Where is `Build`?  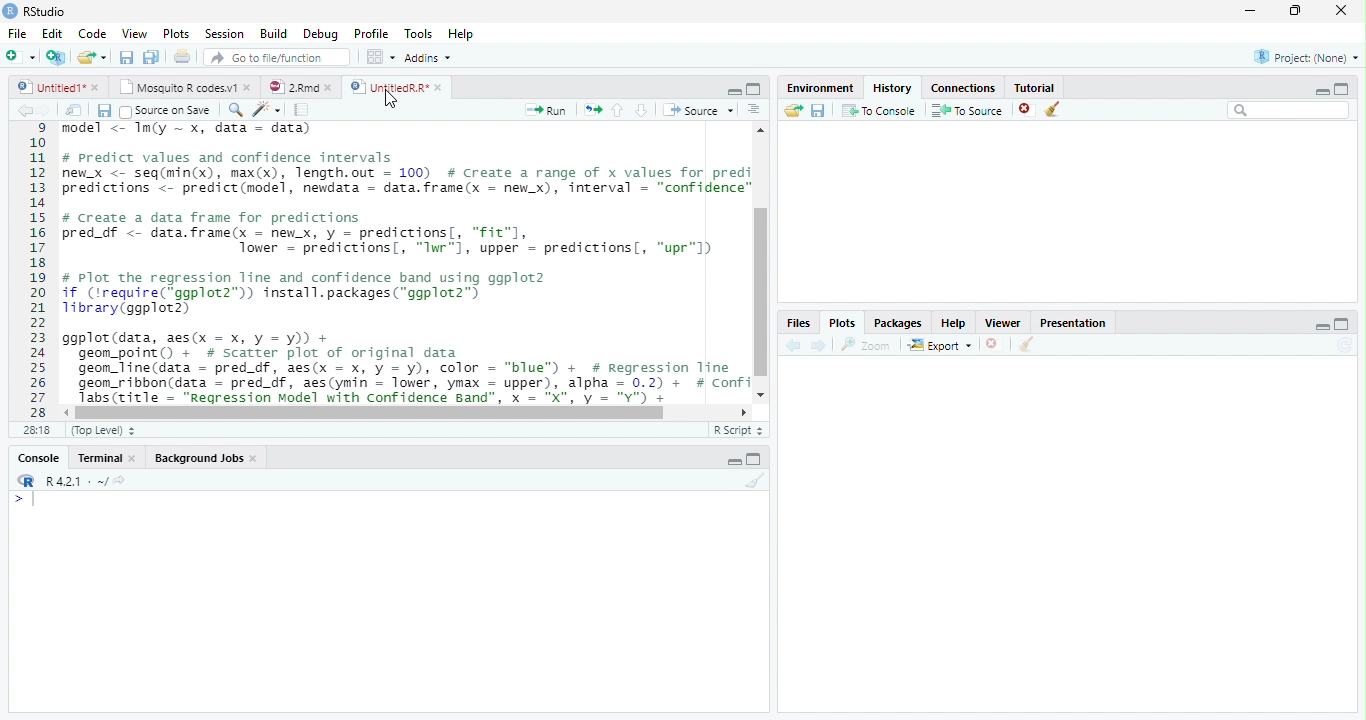 Build is located at coordinates (274, 34).